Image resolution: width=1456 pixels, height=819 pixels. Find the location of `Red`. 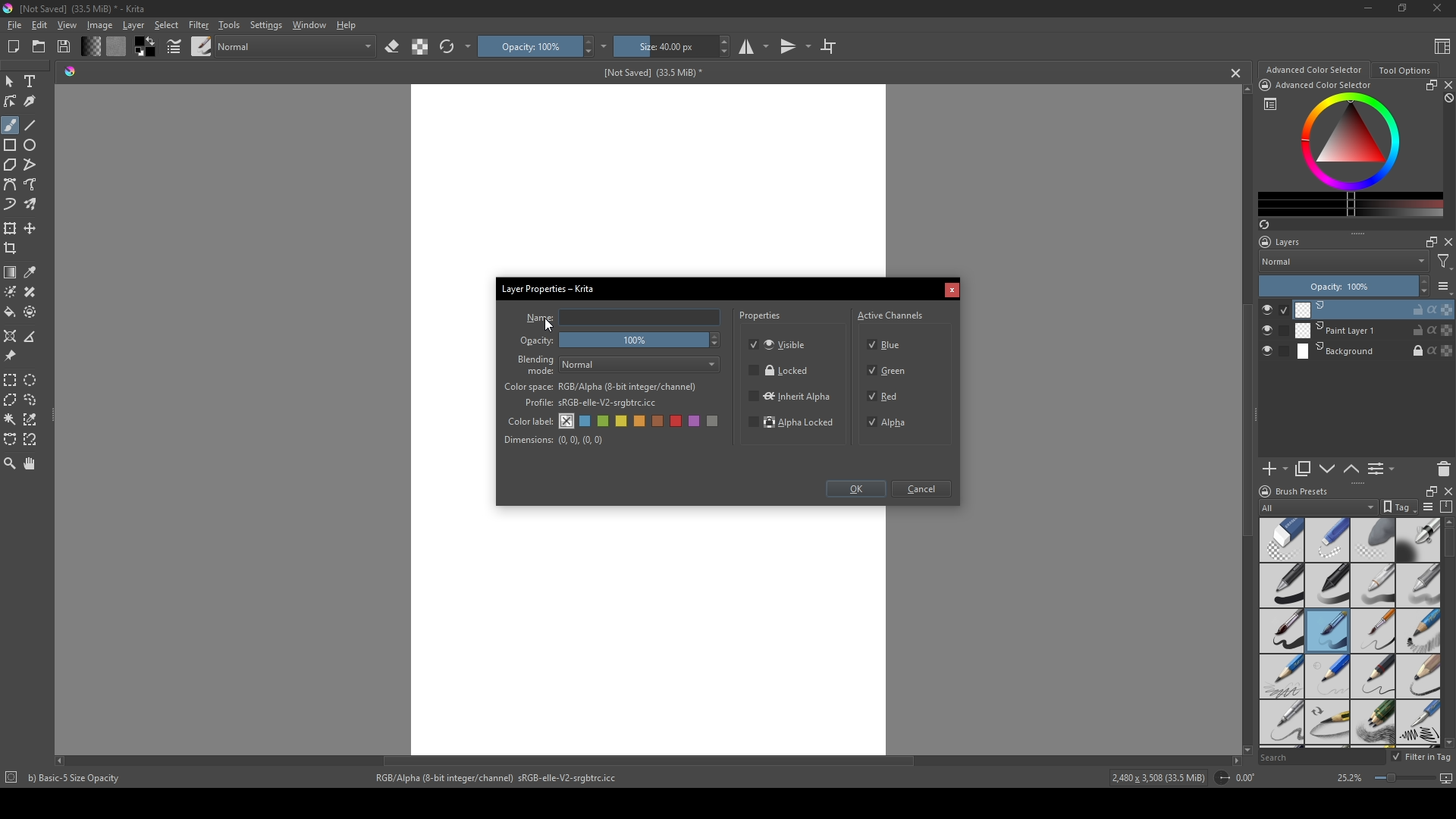

Red is located at coordinates (885, 395).